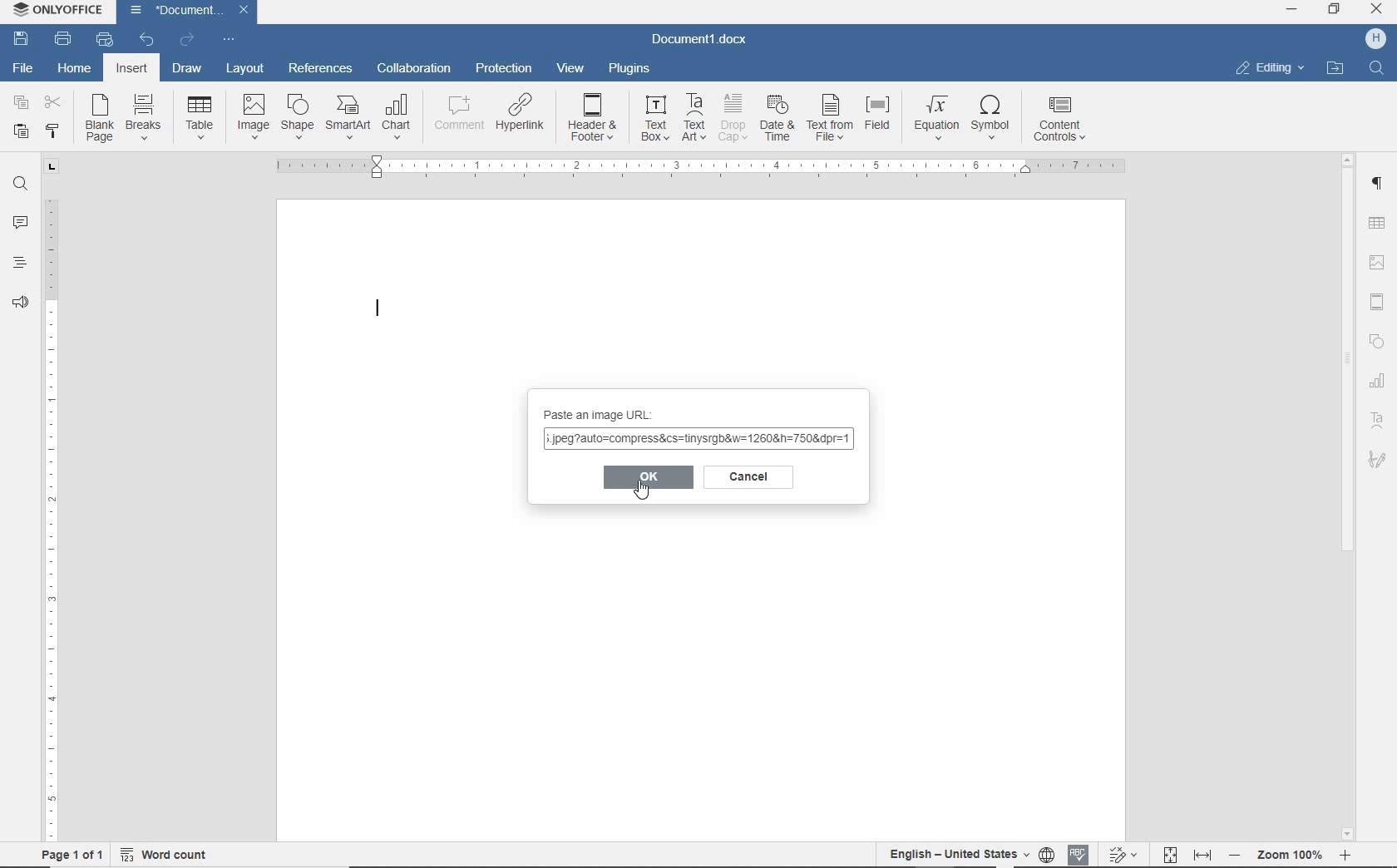  What do you see at coordinates (186, 40) in the screenshot?
I see `redo` at bounding box center [186, 40].